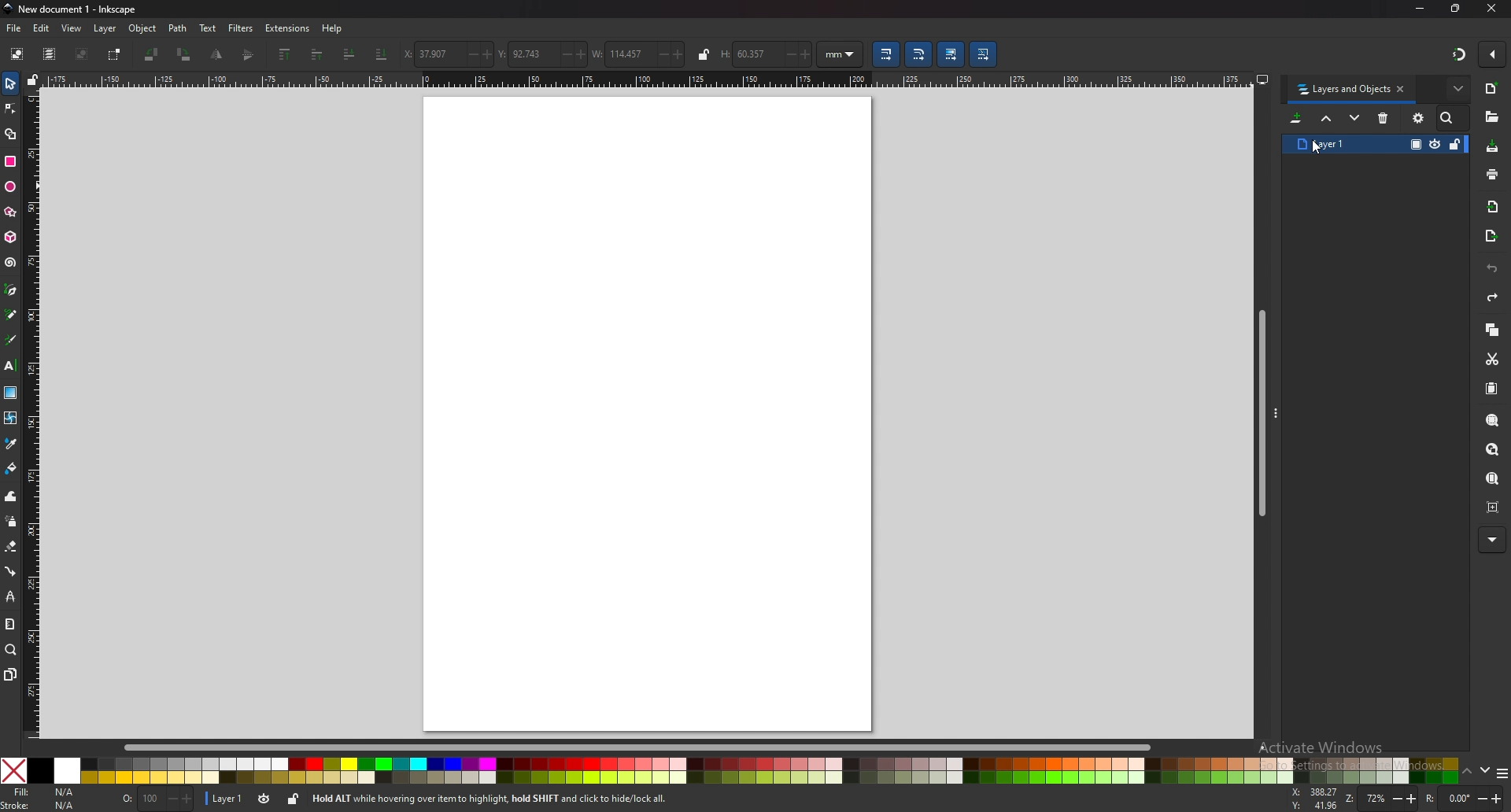 Image resolution: width=1511 pixels, height=812 pixels. Describe the element at coordinates (11, 417) in the screenshot. I see `mesh` at that location.